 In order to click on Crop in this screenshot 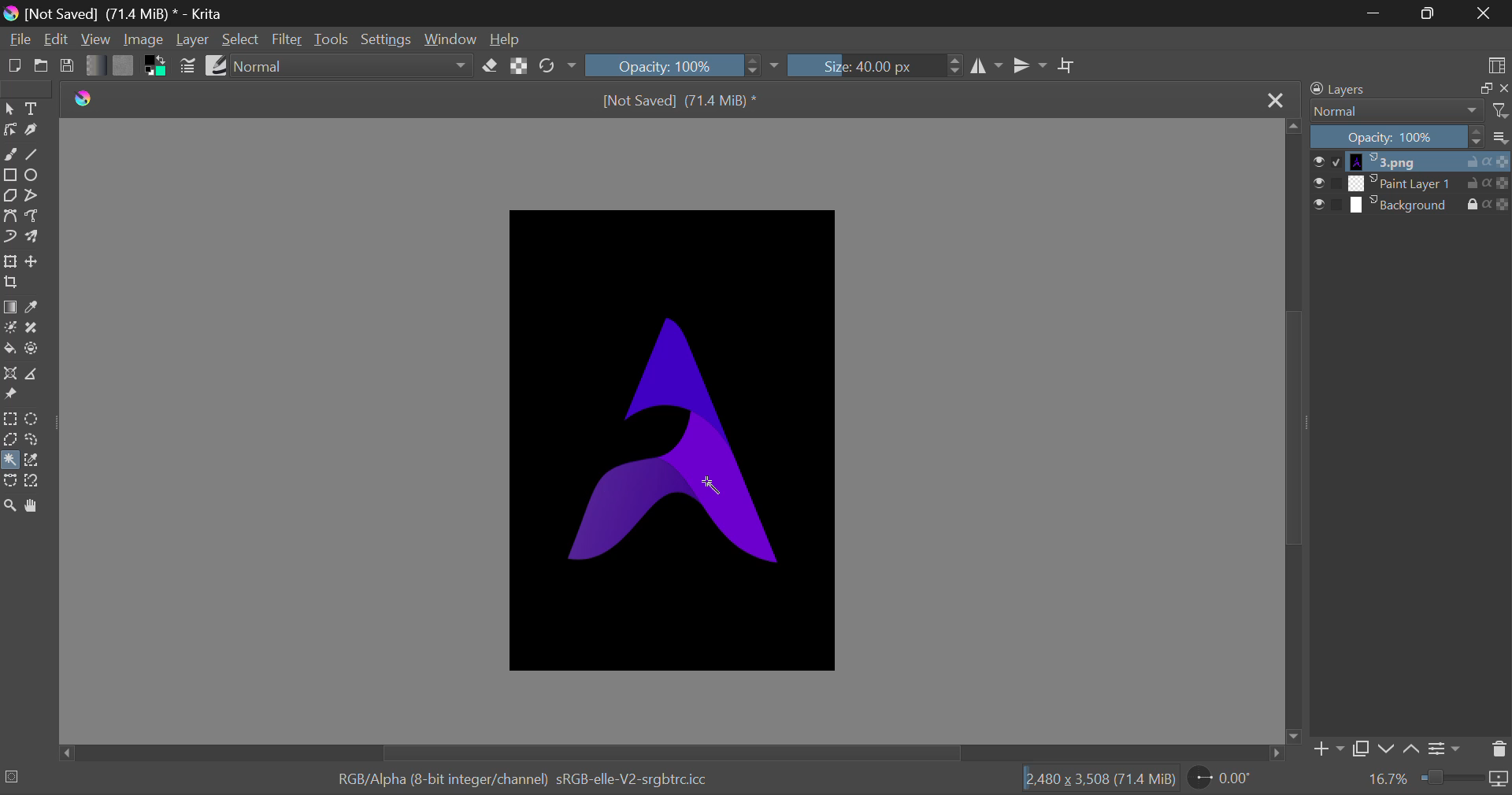, I will do `click(13, 283)`.